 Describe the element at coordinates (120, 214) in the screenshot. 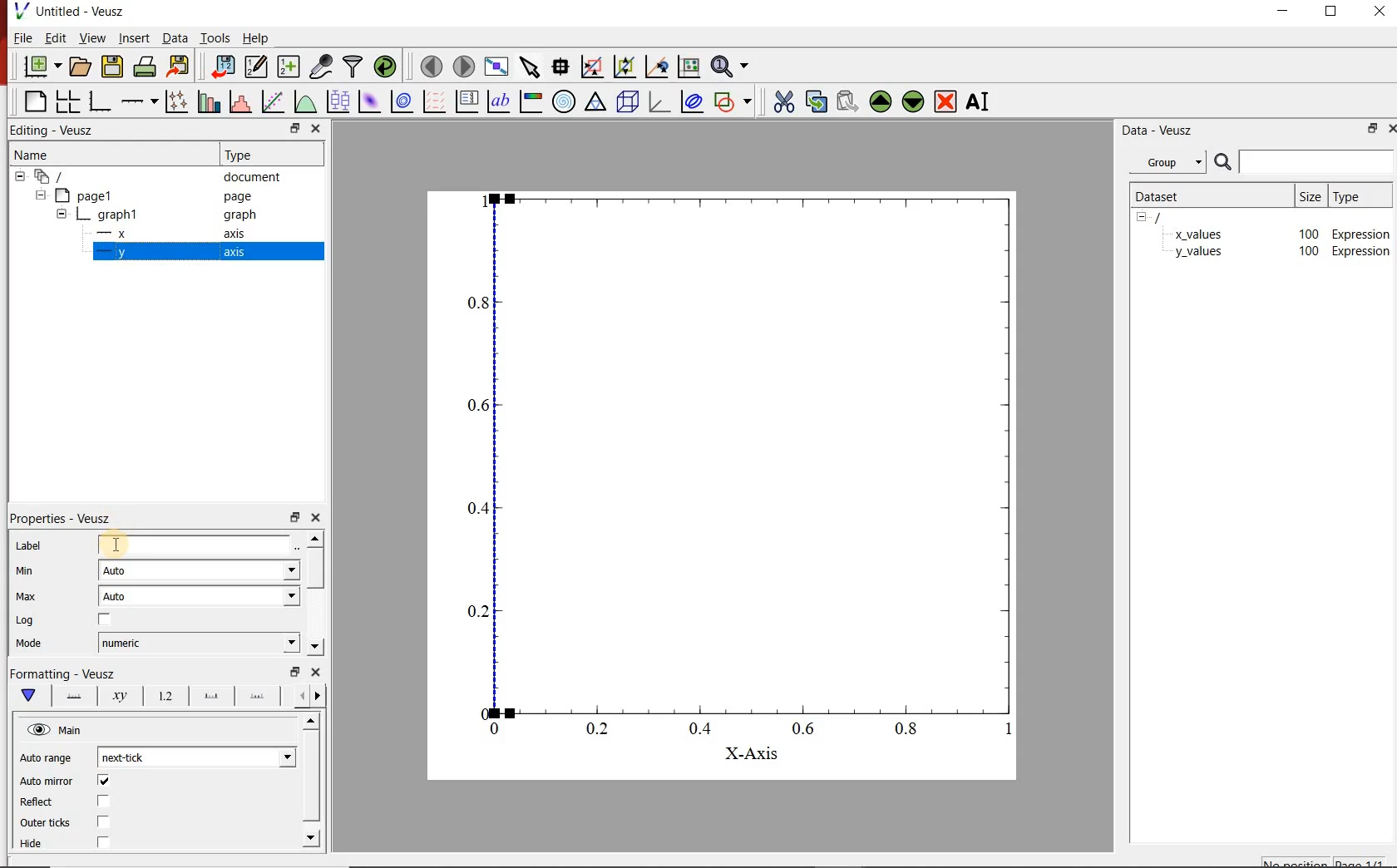

I see `graph1` at that location.